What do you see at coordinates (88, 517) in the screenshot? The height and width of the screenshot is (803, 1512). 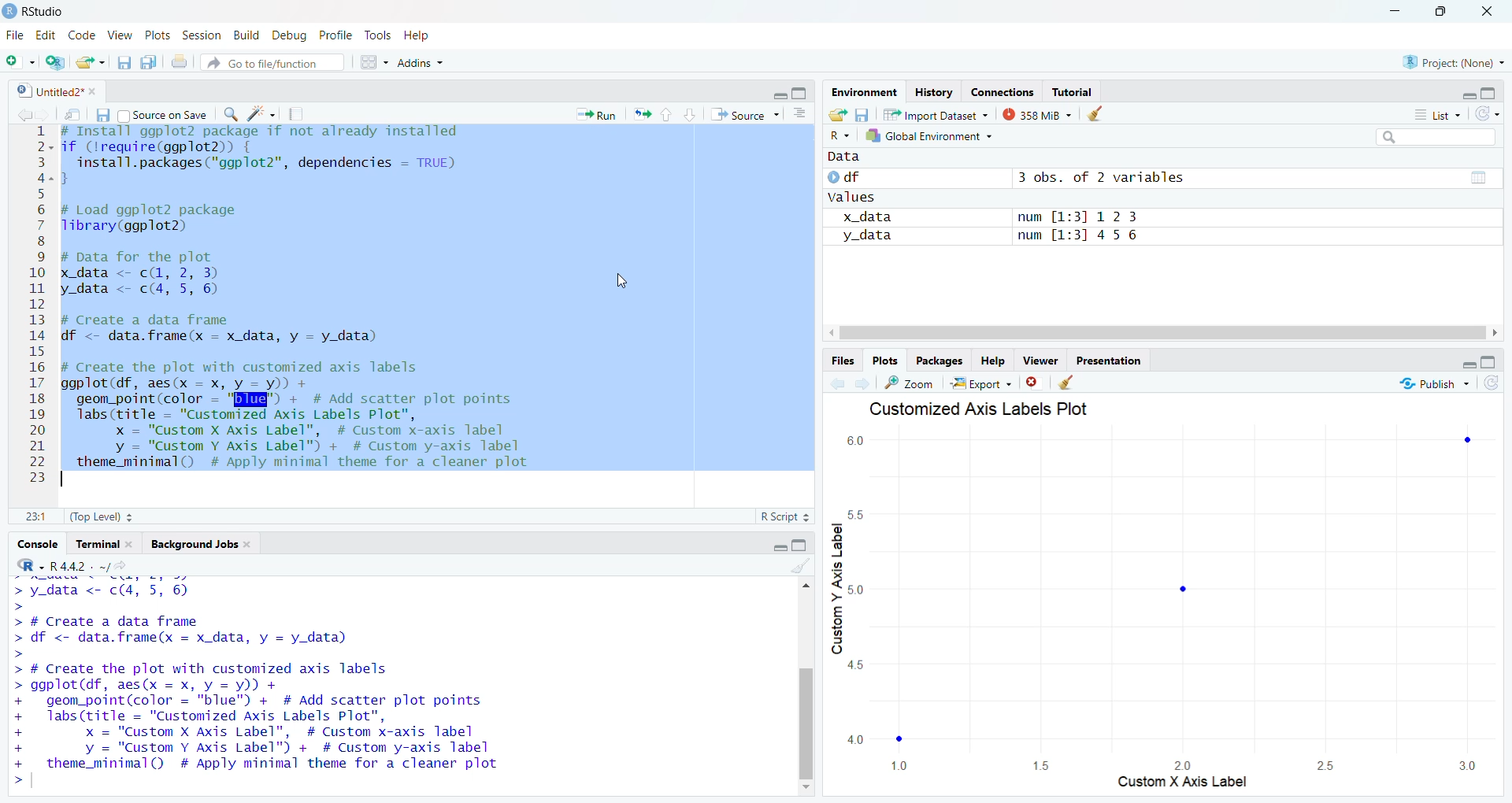 I see `11 (Top Level) 3` at bounding box center [88, 517].